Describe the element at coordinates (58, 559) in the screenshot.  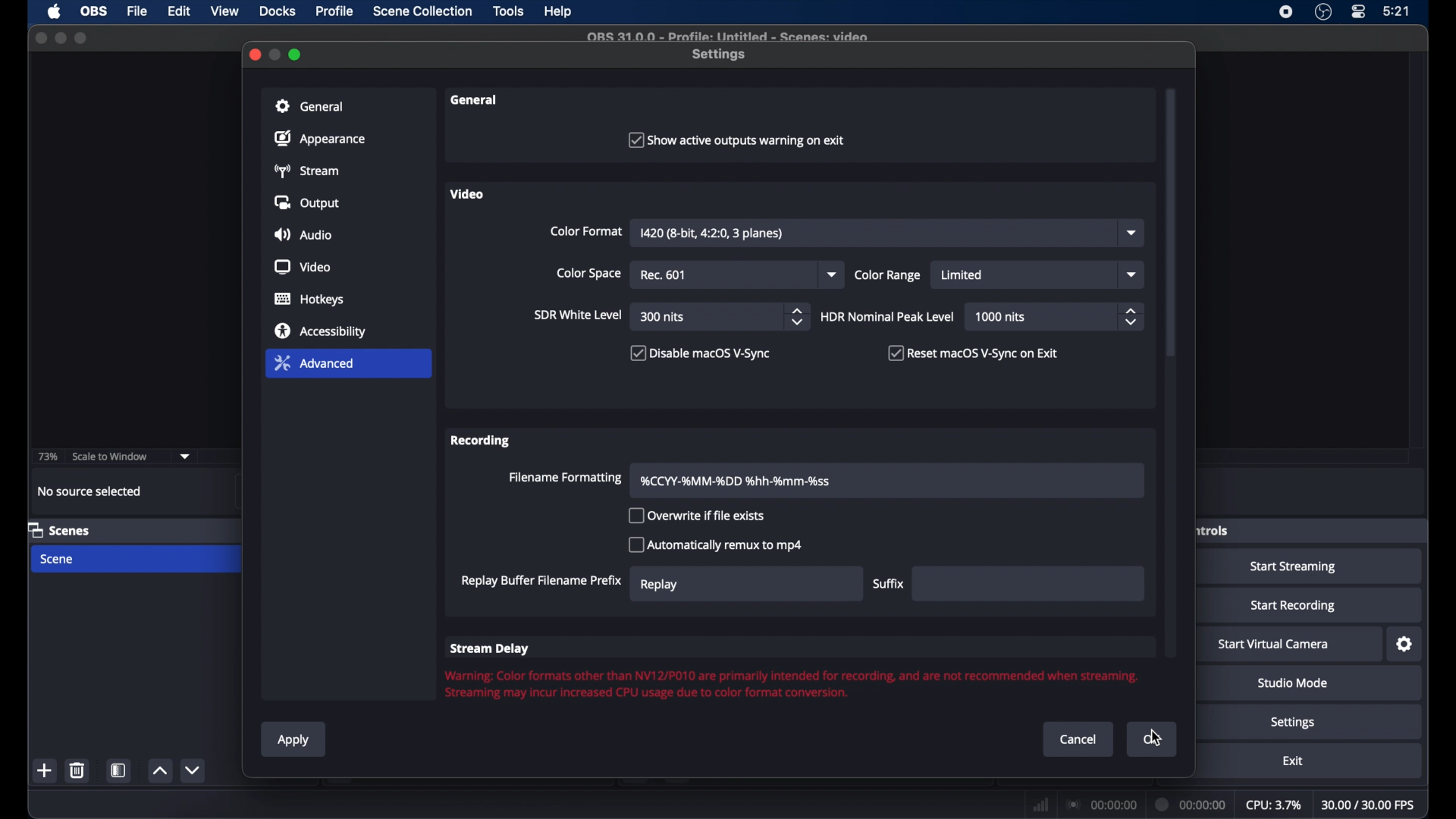
I see `scene` at that location.